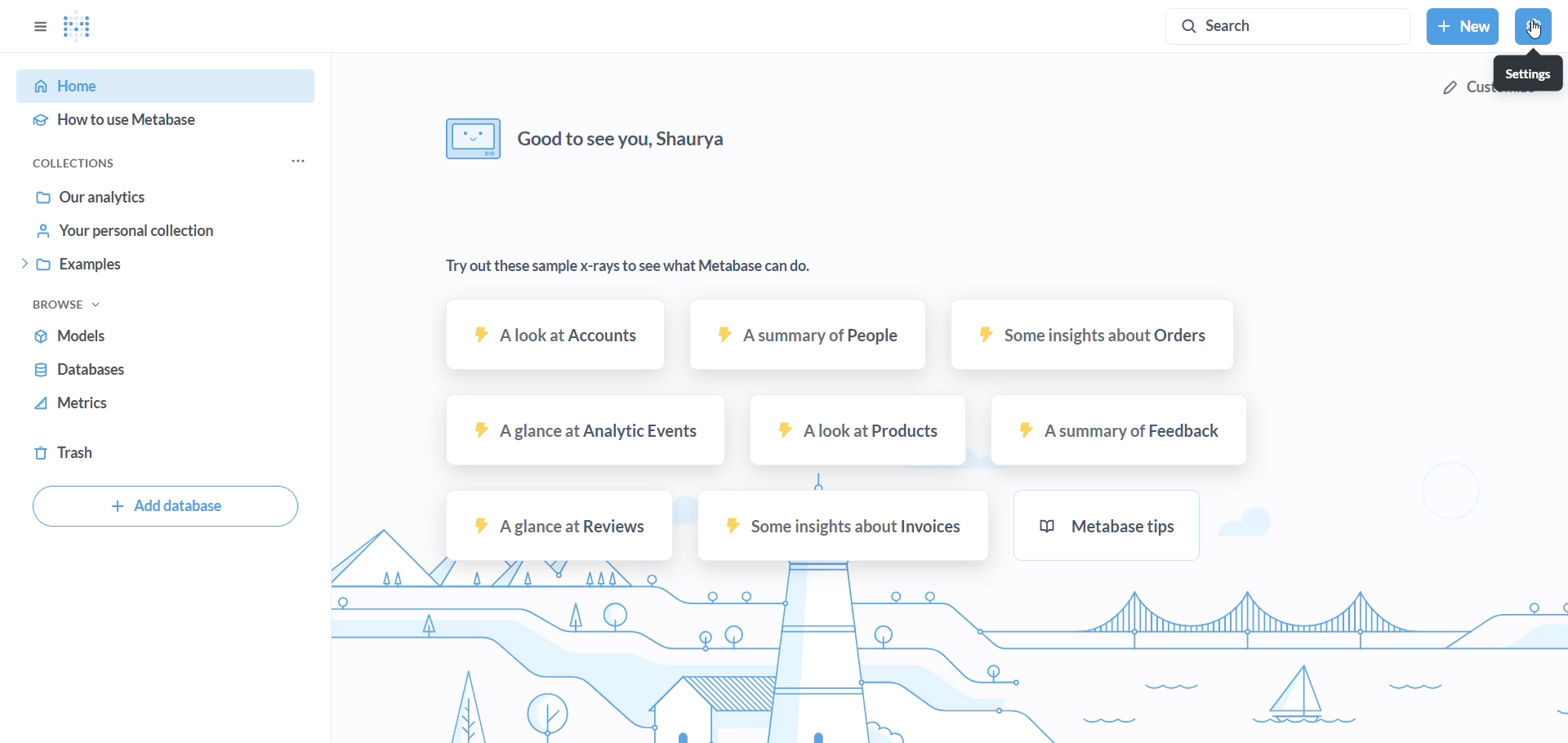  What do you see at coordinates (92, 339) in the screenshot?
I see `models` at bounding box center [92, 339].